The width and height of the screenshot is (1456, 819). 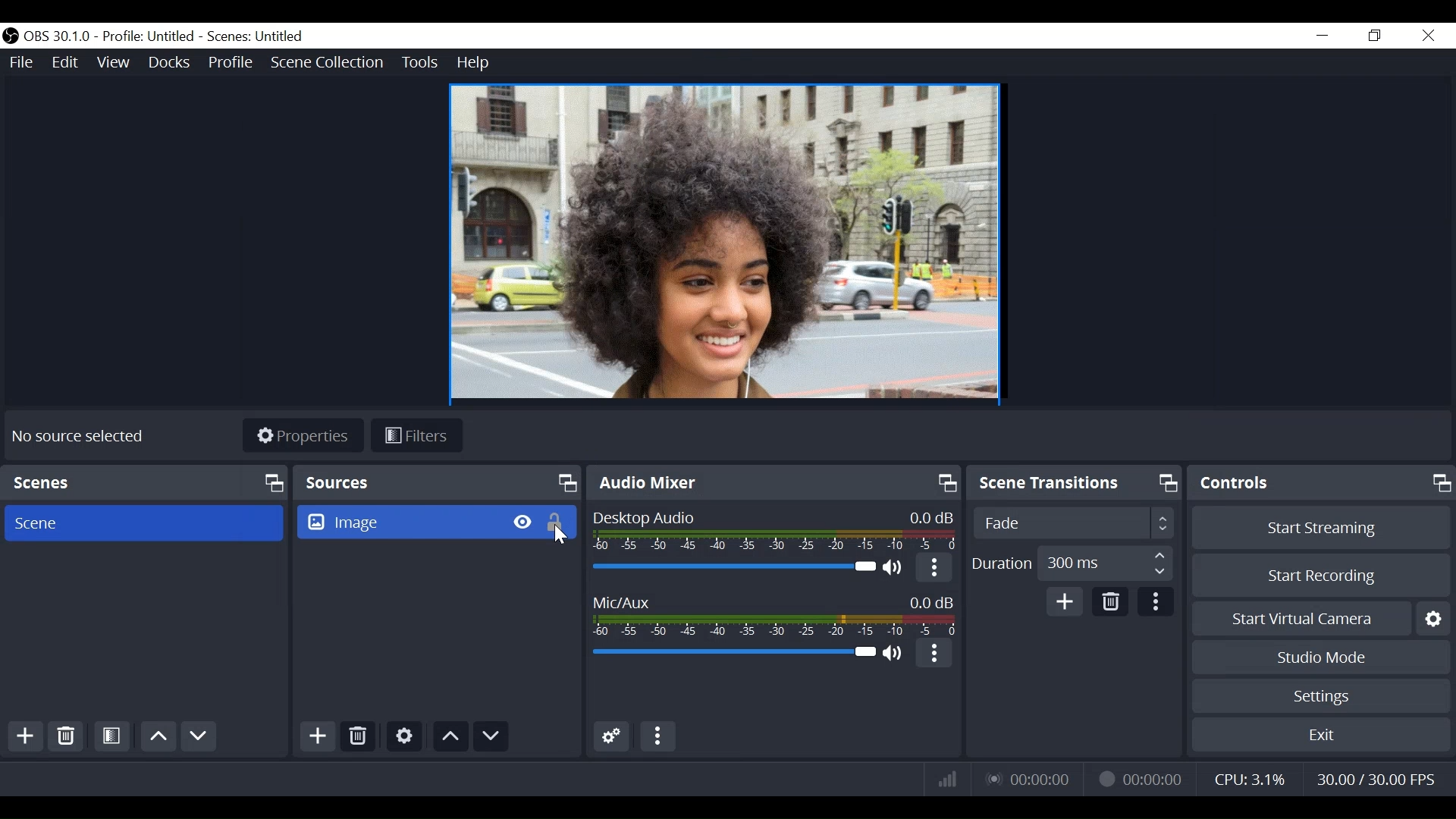 I want to click on more options, so click(x=934, y=569).